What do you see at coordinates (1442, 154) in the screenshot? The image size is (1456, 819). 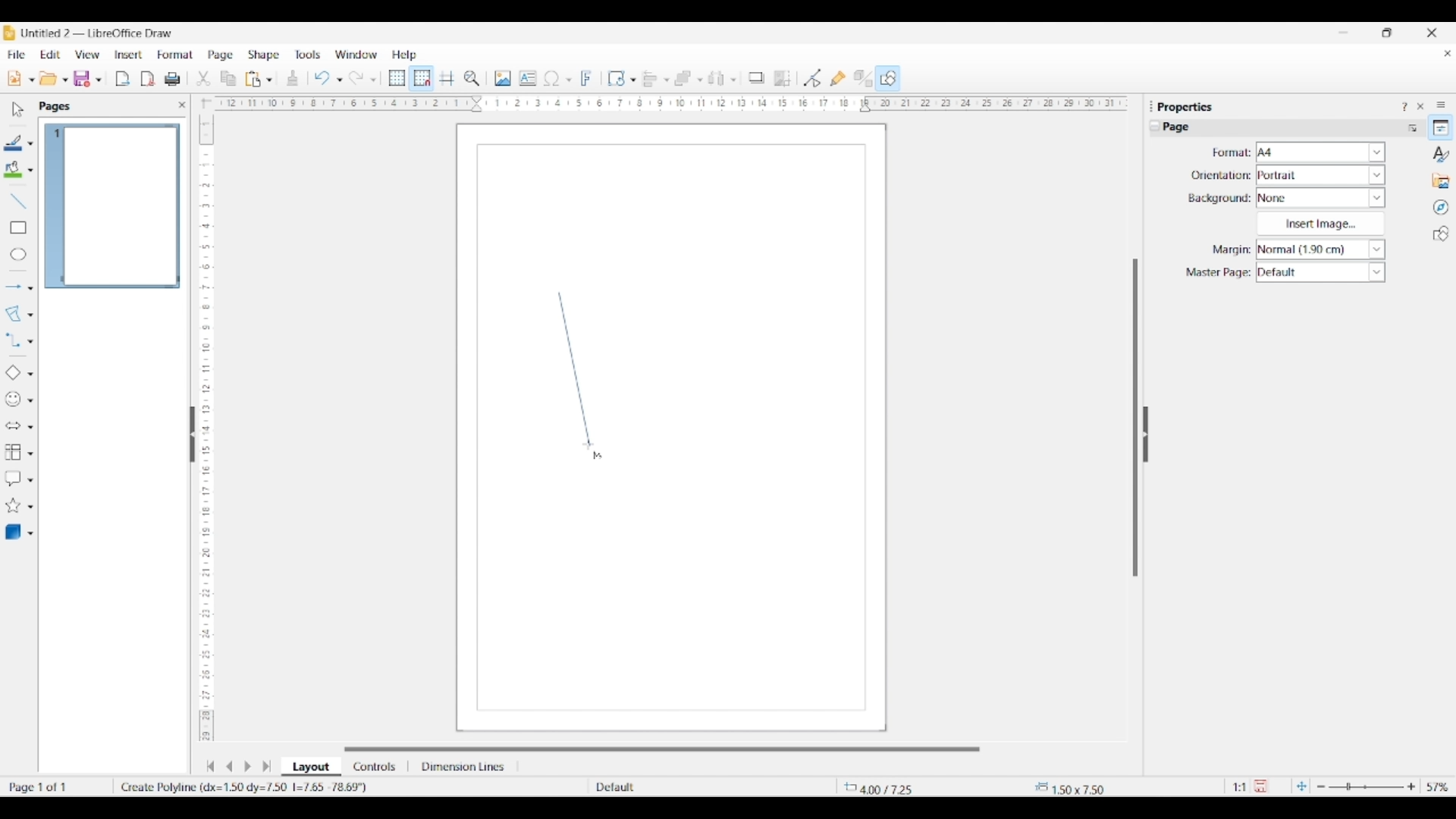 I see `Styles` at bounding box center [1442, 154].